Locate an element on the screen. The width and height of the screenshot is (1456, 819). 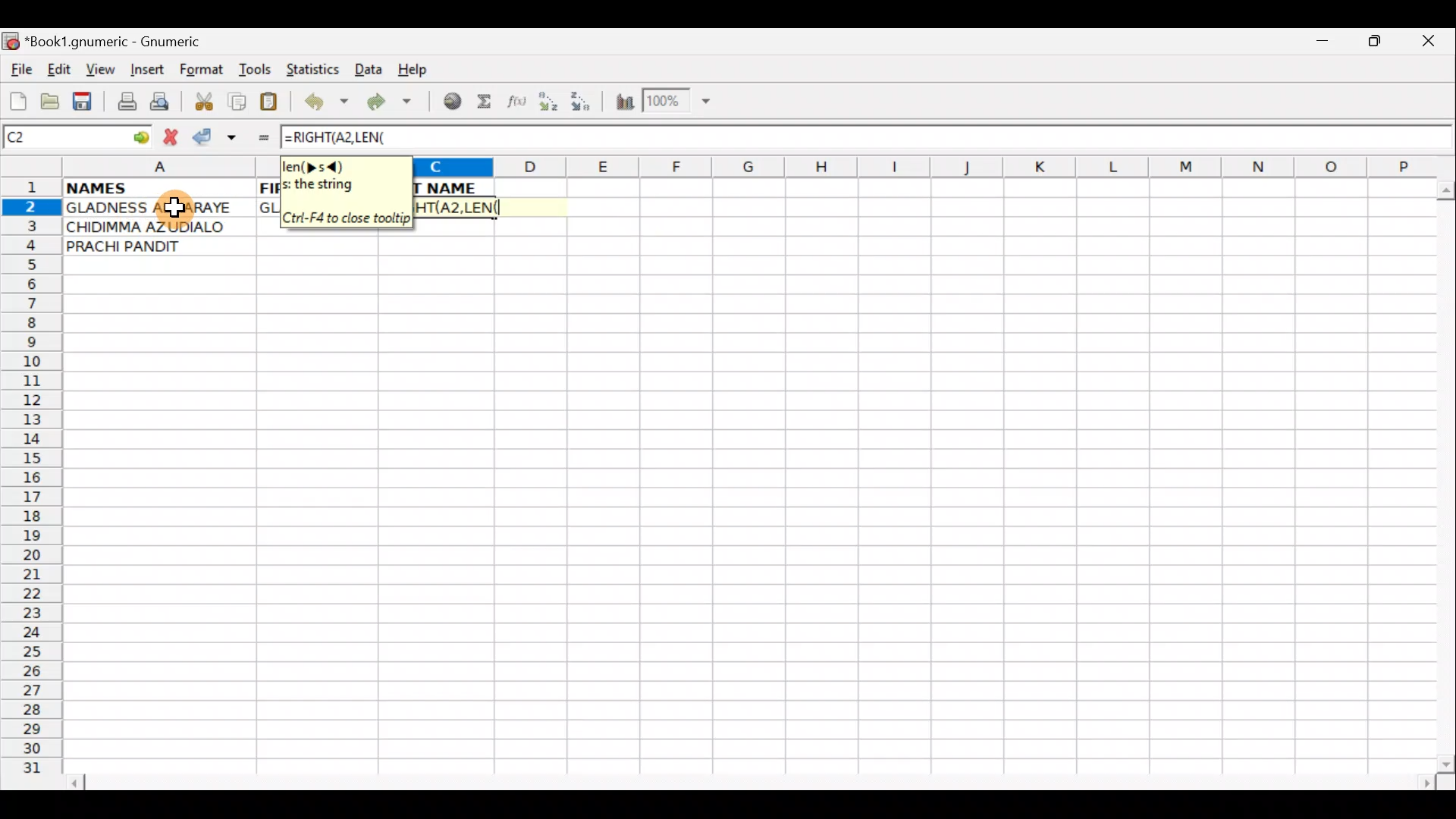
Rows is located at coordinates (32, 482).